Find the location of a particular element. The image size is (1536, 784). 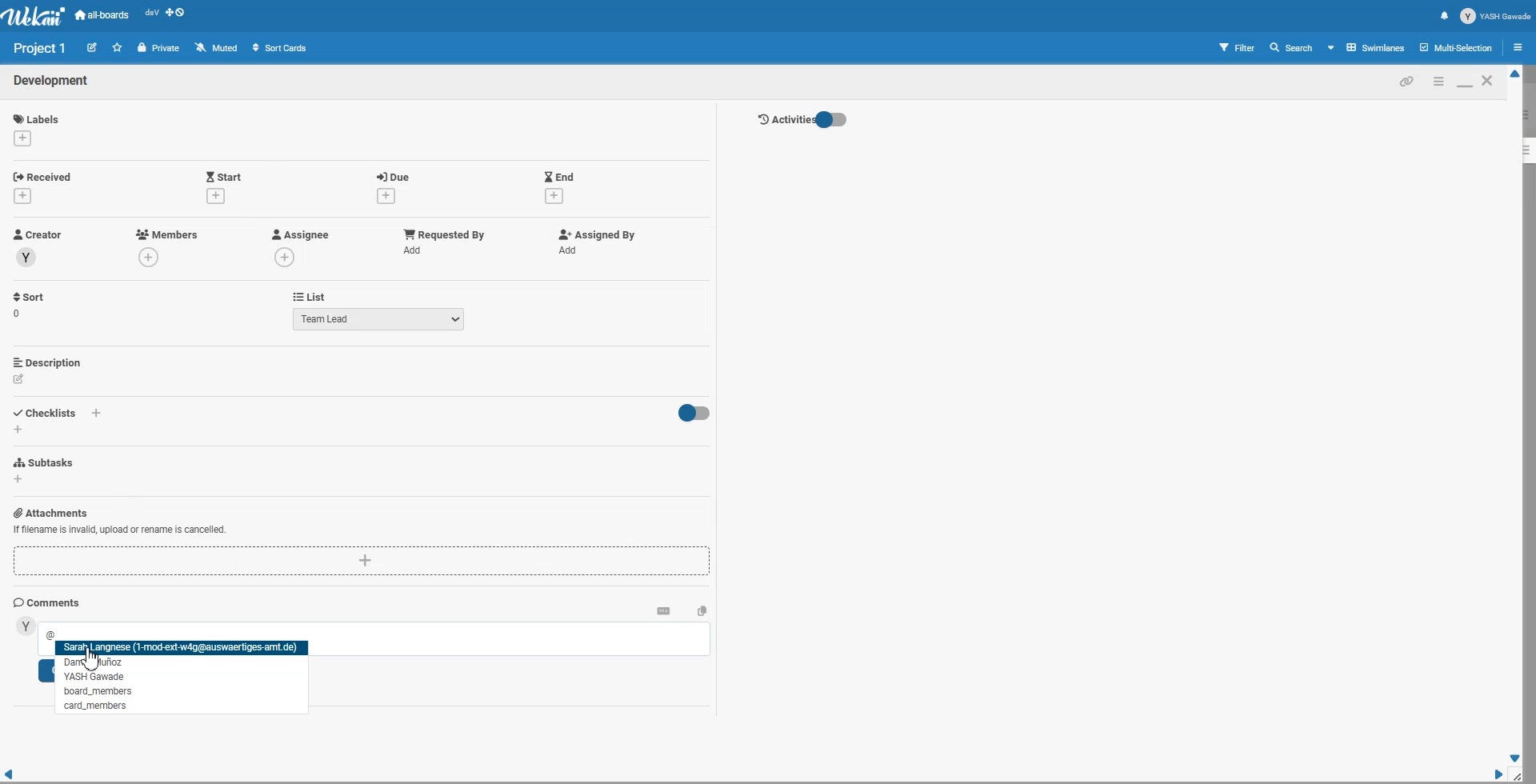

Cursor is located at coordinates (94, 658).